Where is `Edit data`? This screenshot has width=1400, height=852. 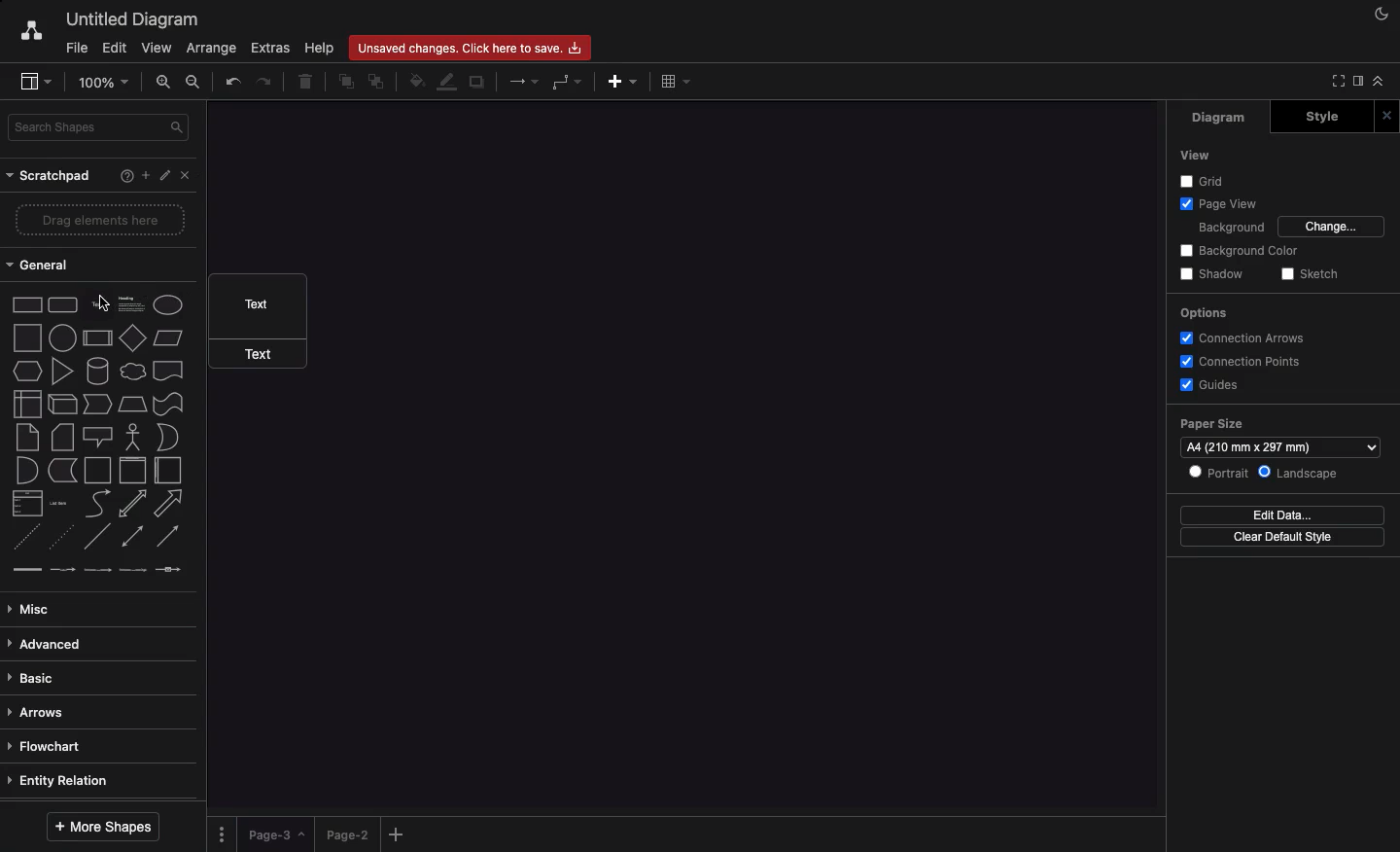 Edit data is located at coordinates (1283, 515).